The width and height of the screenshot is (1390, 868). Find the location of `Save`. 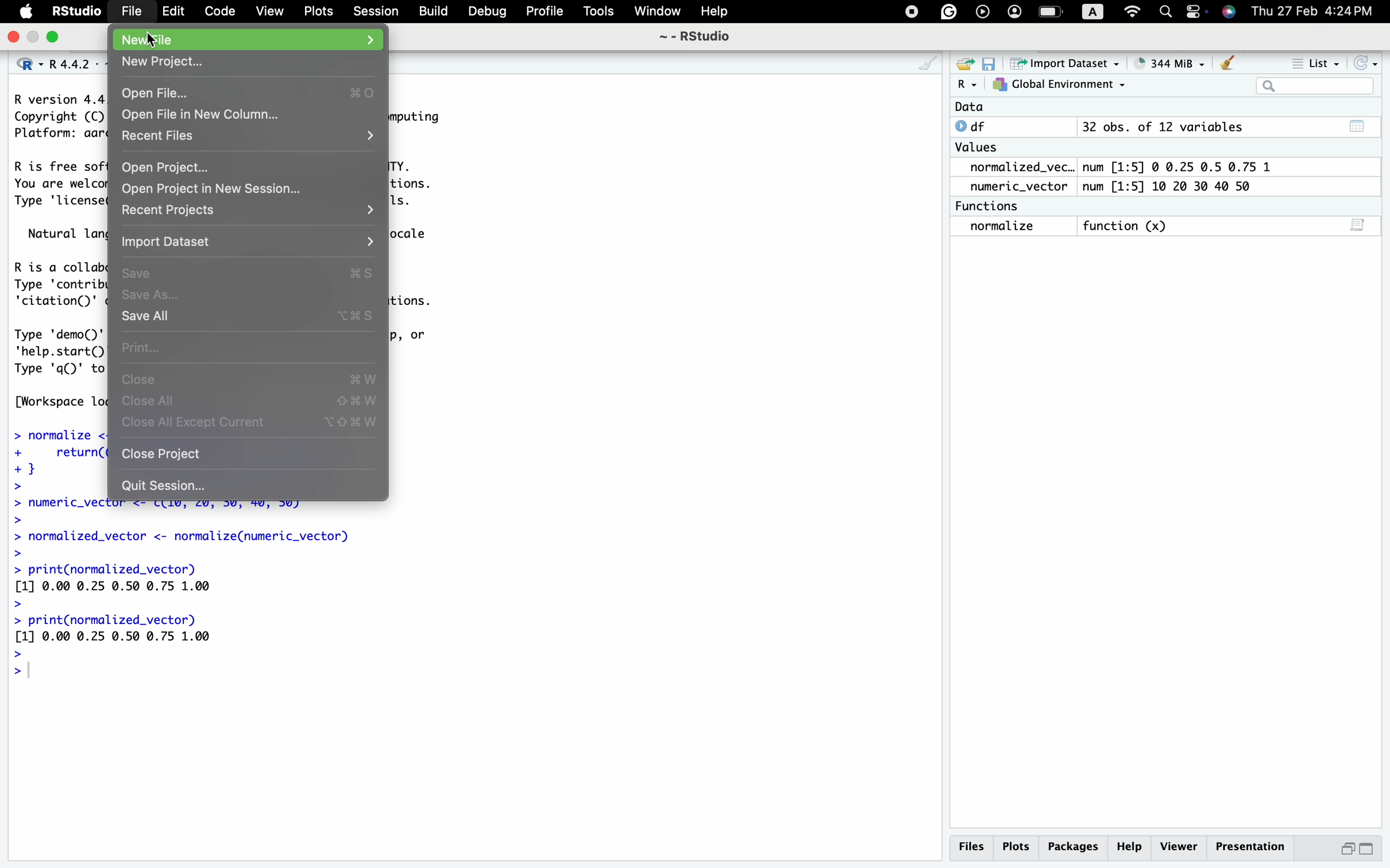

Save is located at coordinates (137, 274).